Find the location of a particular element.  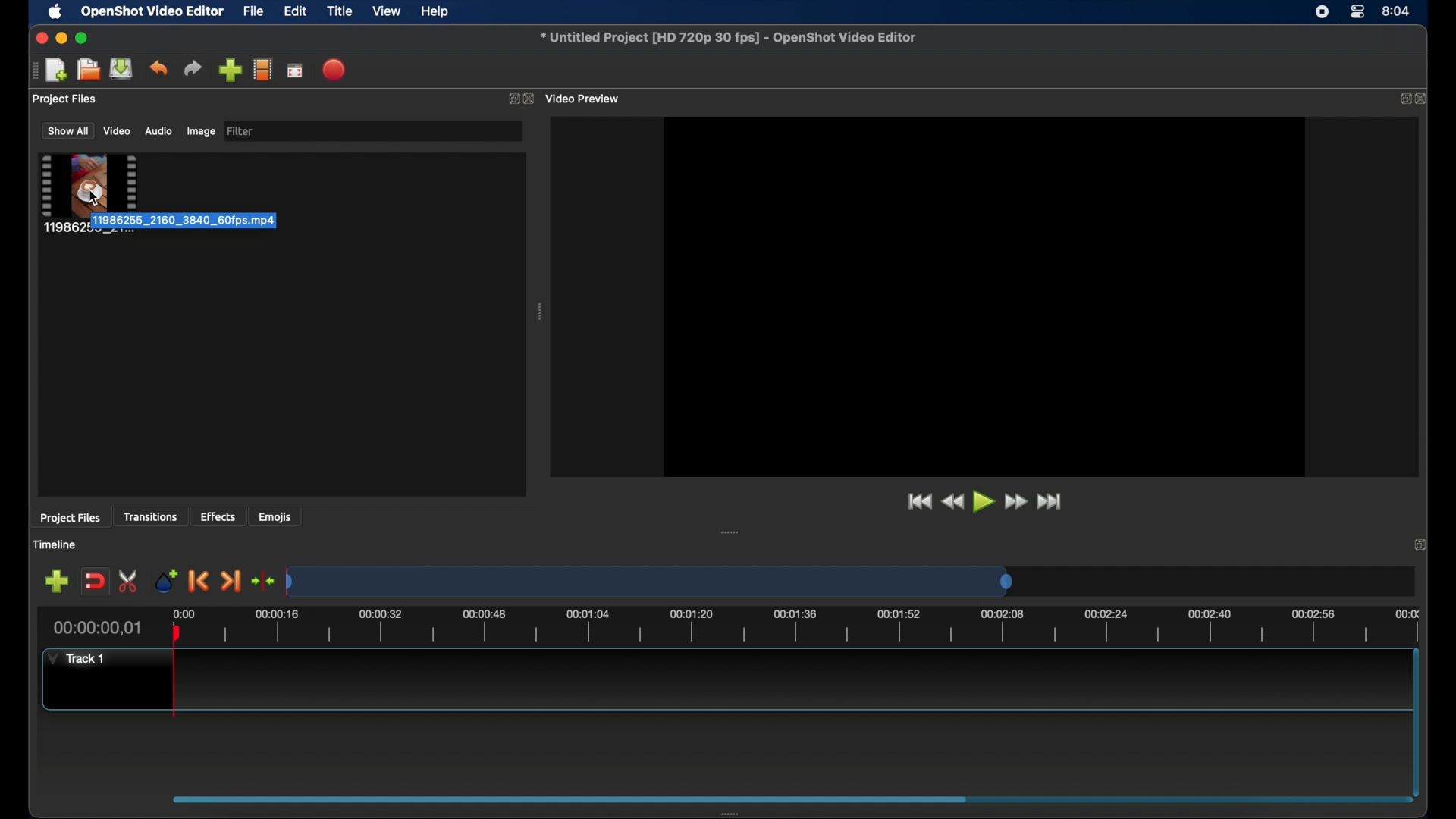

timeline scale is located at coordinates (649, 583).